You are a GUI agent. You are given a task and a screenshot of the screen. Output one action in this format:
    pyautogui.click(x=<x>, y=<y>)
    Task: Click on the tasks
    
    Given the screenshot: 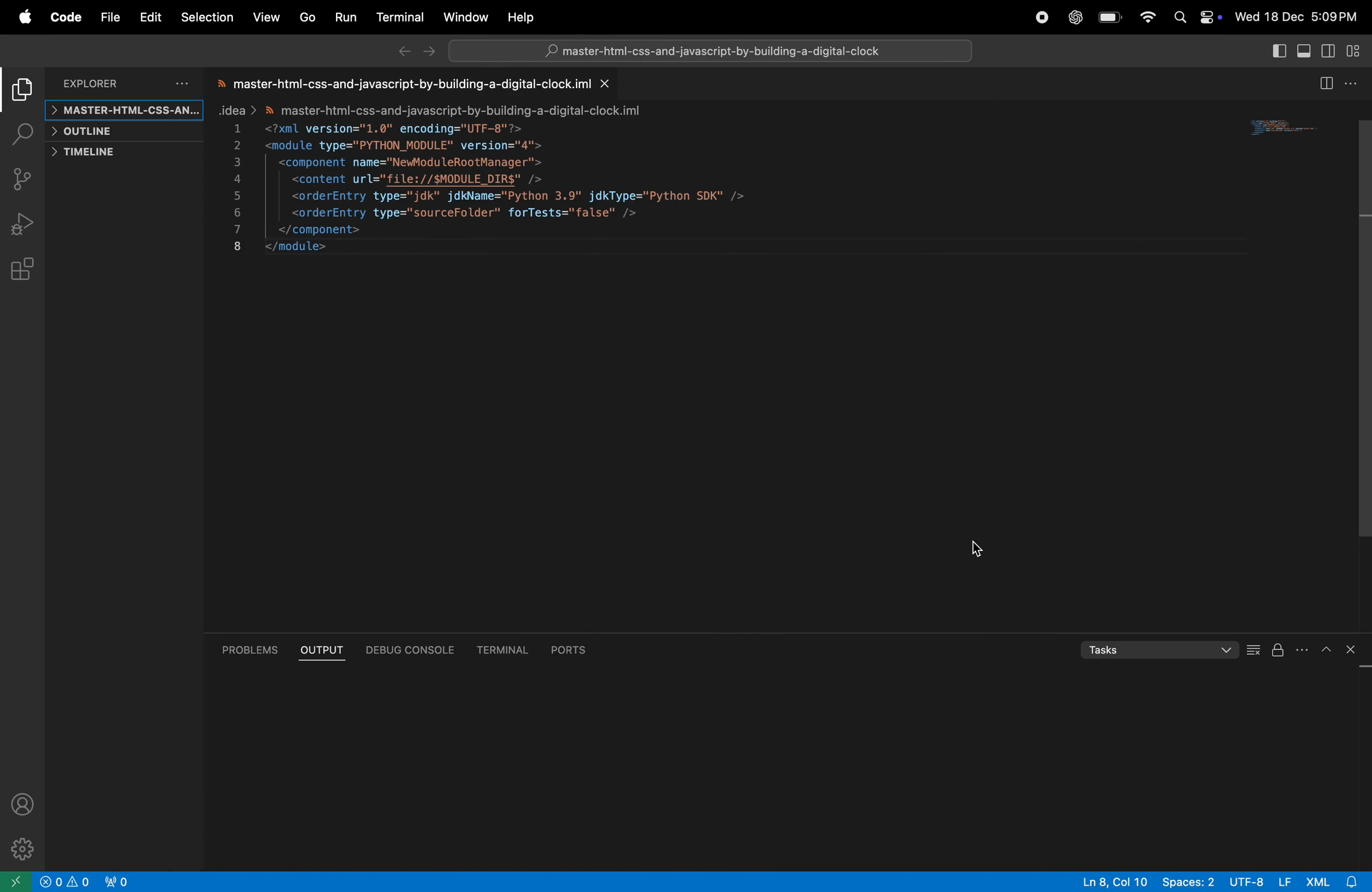 What is the action you would take?
    pyautogui.click(x=1155, y=651)
    